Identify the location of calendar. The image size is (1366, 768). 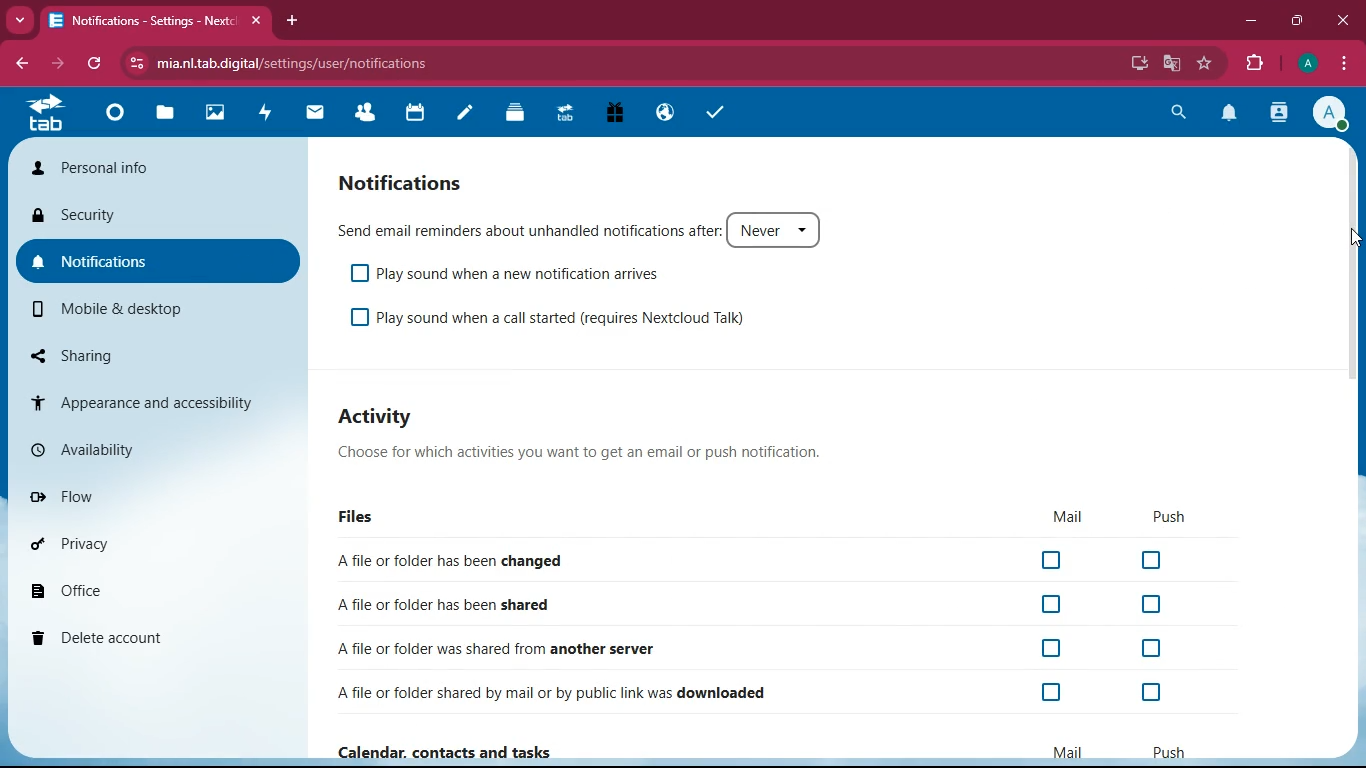
(419, 114).